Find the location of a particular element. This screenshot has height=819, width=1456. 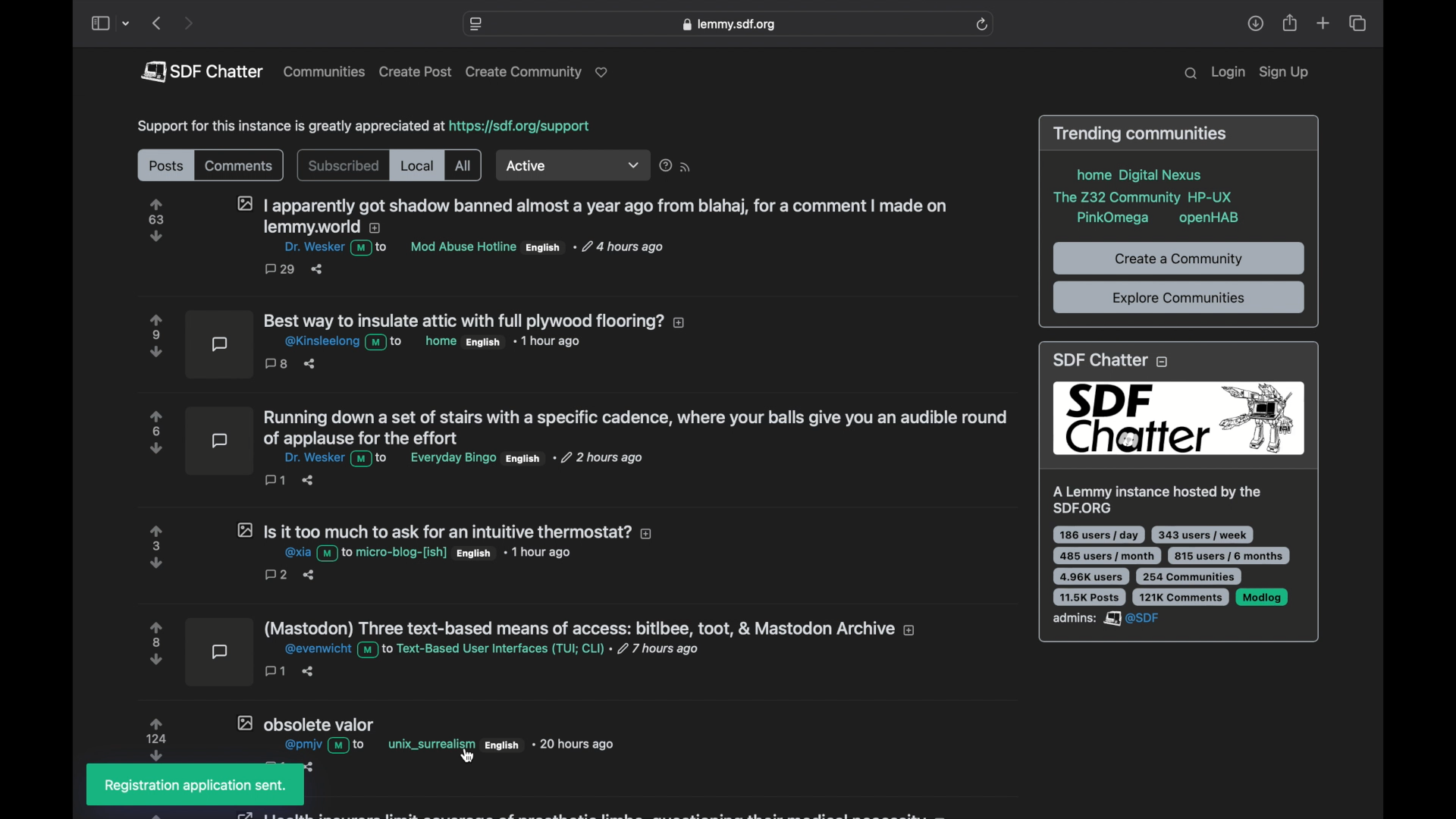

communities is located at coordinates (325, 71).